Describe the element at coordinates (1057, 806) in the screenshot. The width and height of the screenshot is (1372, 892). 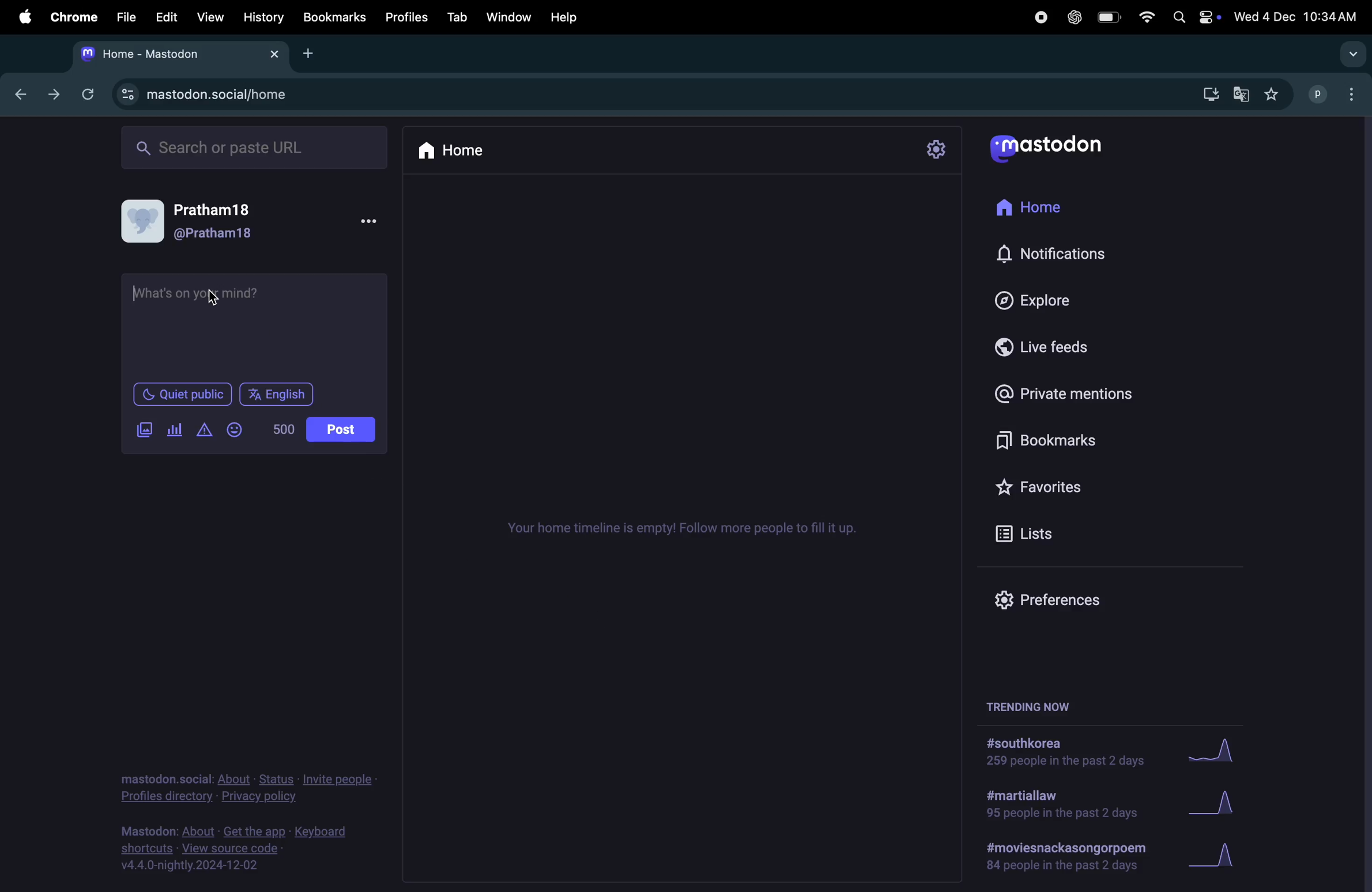
I see `Martial Law` at that location.